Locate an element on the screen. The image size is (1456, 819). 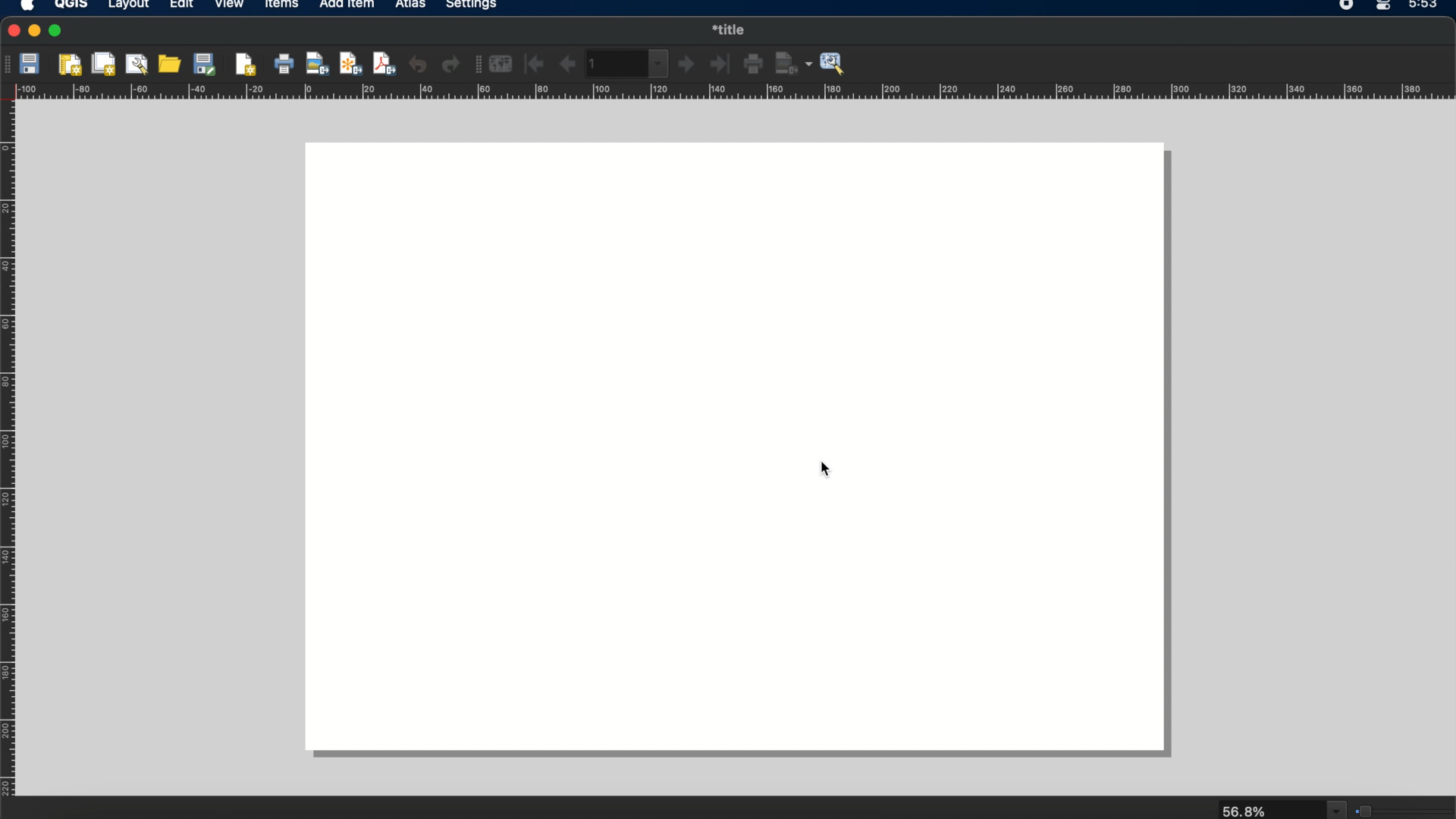
time is located at coordinates (1429, 6).